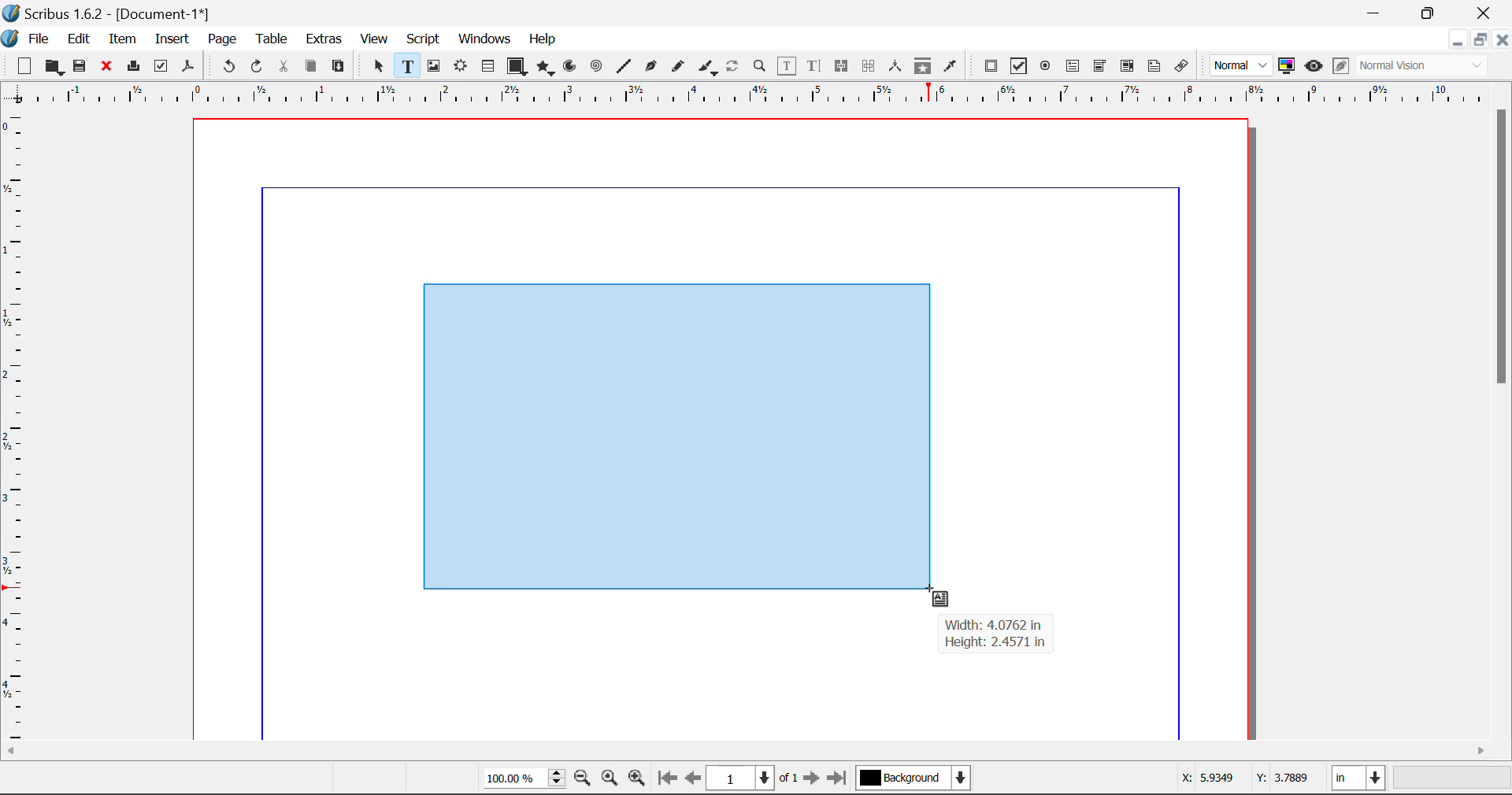 The image size is (1512, 795). What do you see at coordinates (1242, 66) in the screenshot?
I see `Preview Mode` at bounding box center [1242, 66].